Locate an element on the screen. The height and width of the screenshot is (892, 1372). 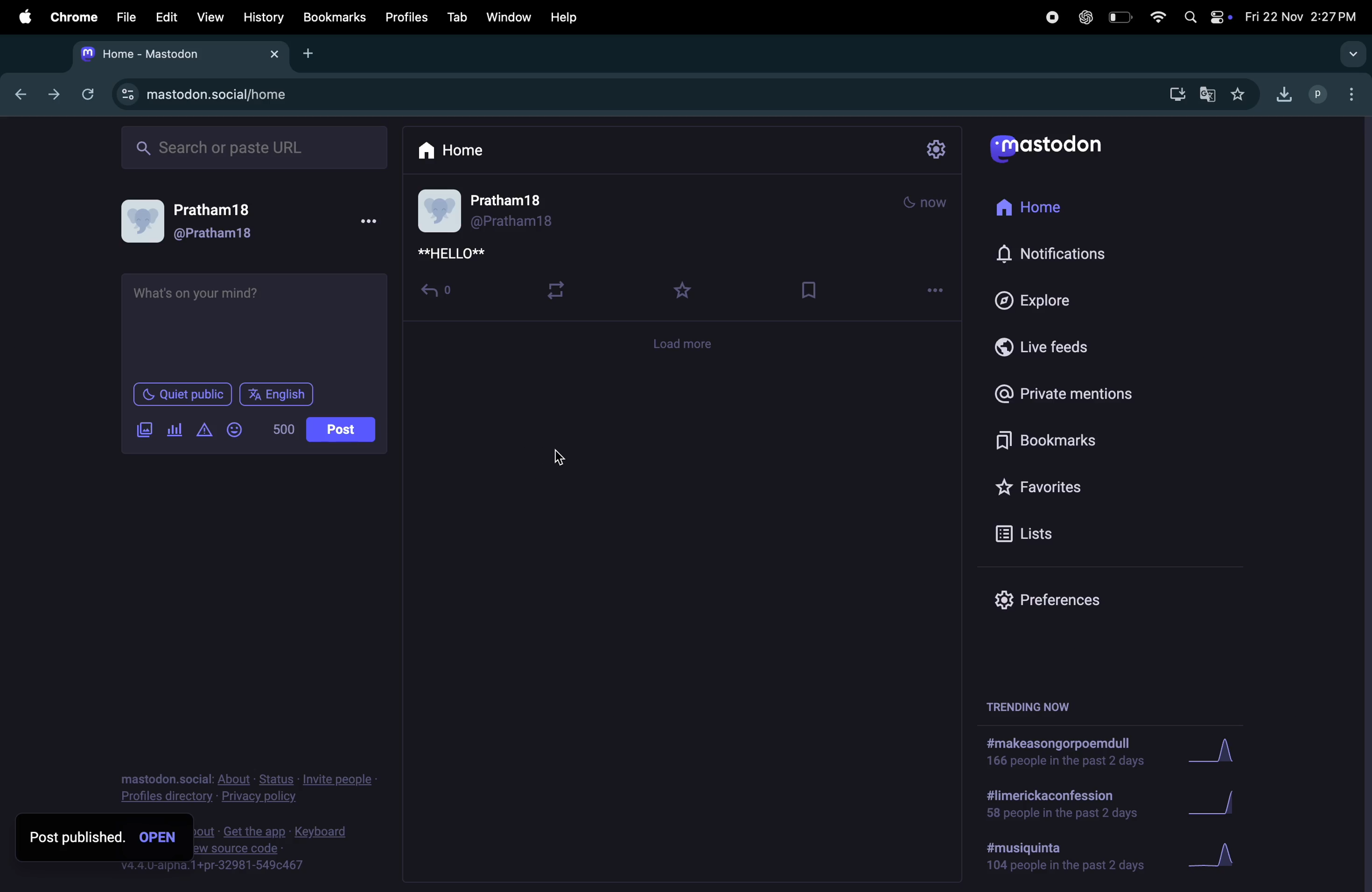
add is located at coordinates (315, 54).